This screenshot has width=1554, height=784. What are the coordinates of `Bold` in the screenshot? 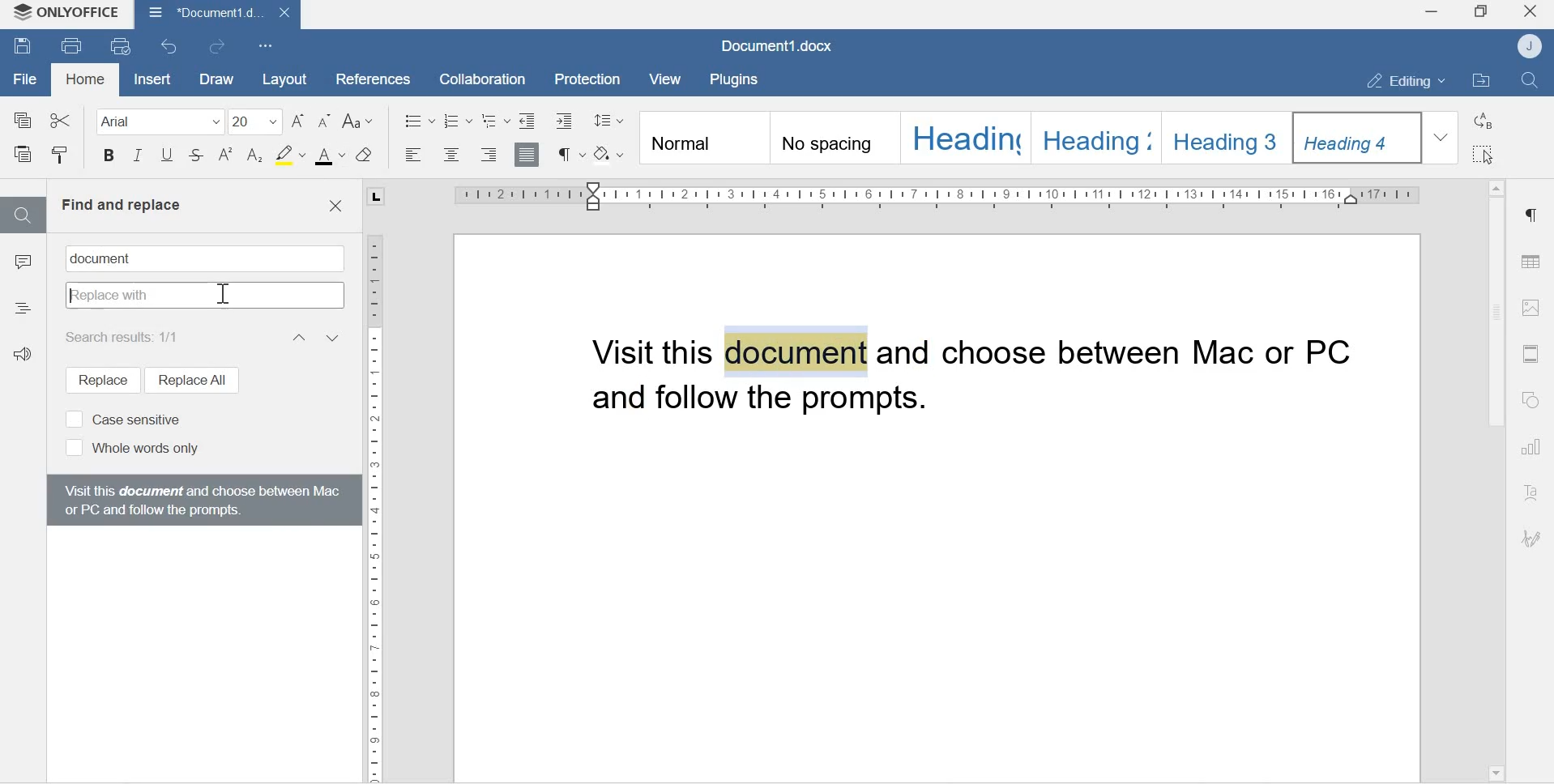 It's located at (109, 158).